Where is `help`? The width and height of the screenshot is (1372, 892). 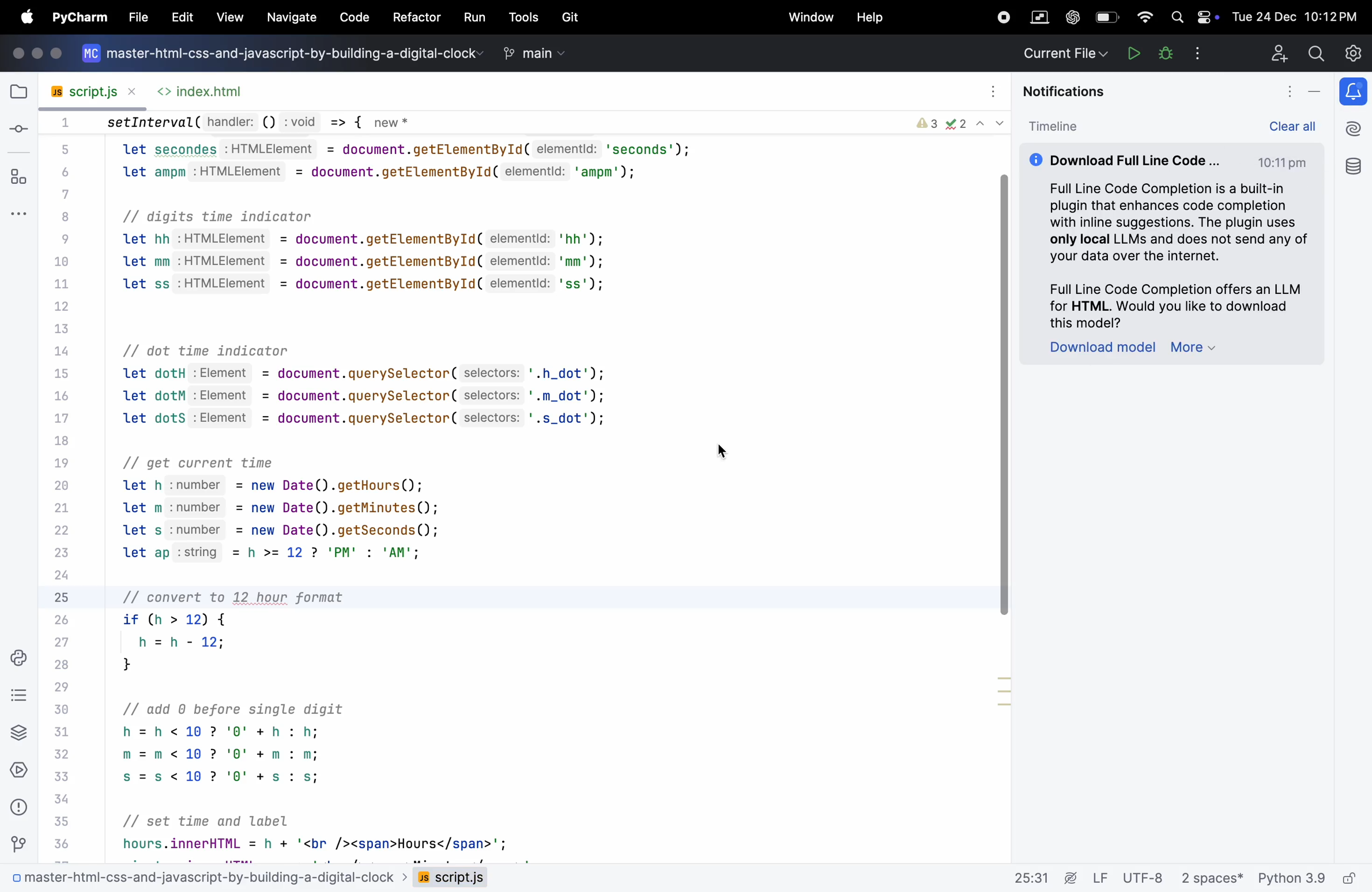
help is located at coordinates (868, 18).